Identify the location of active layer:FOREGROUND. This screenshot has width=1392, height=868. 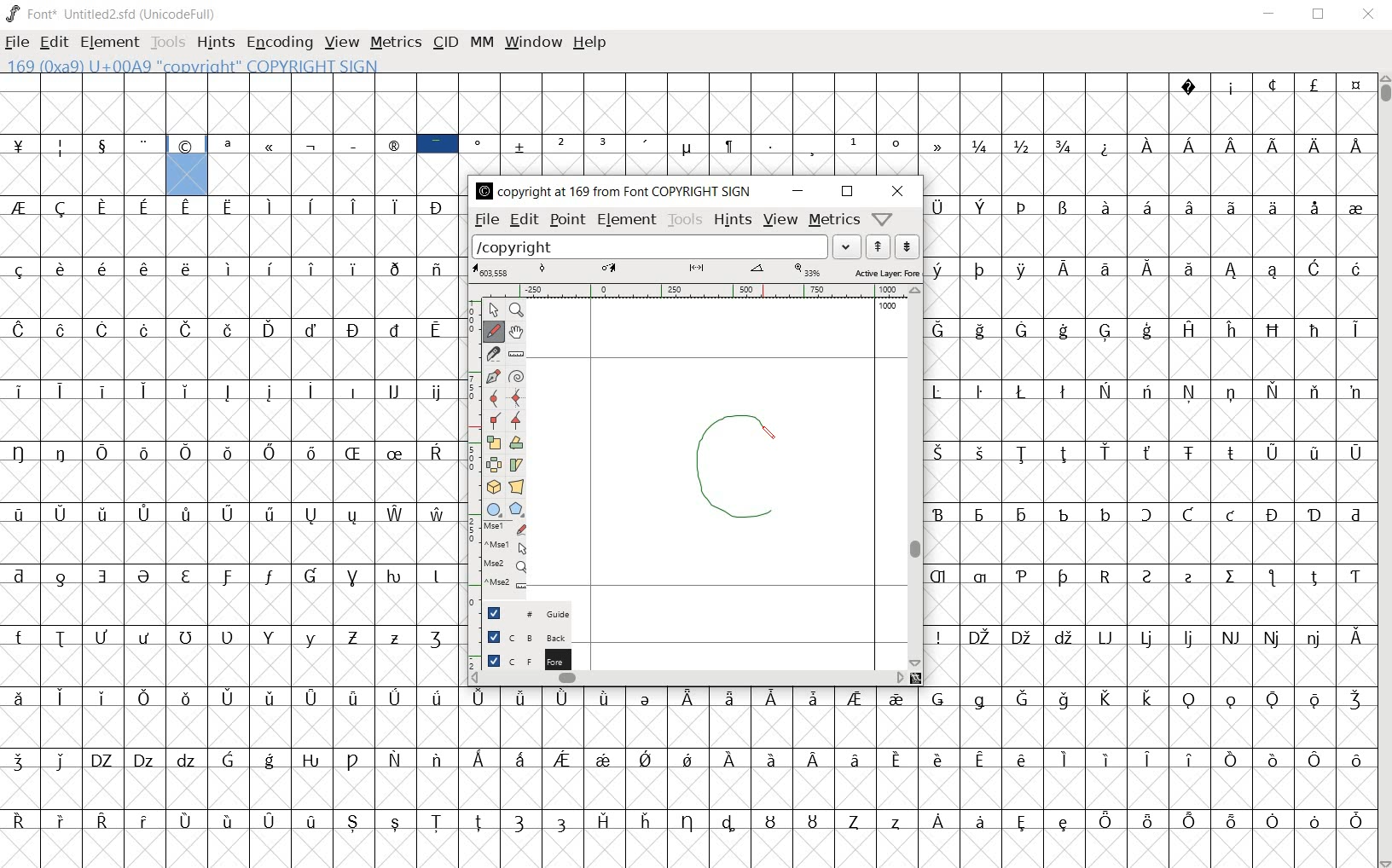
(695, 271).